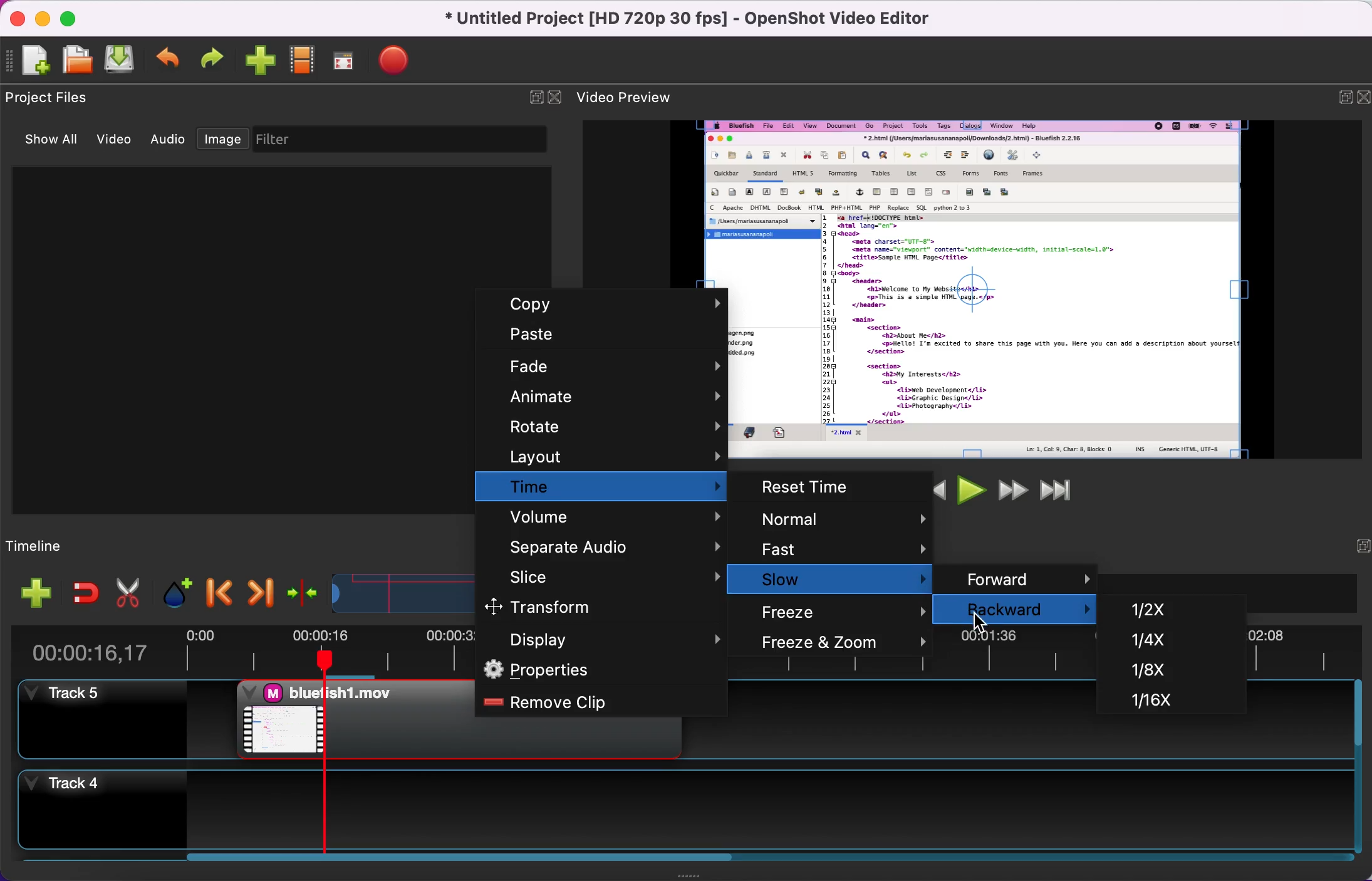 The width and height of the screenshot is (1372, 881). What do you see at coordinates (71, 543) in the screenshot?
I see `timeline` at bounding box center [71, 543].